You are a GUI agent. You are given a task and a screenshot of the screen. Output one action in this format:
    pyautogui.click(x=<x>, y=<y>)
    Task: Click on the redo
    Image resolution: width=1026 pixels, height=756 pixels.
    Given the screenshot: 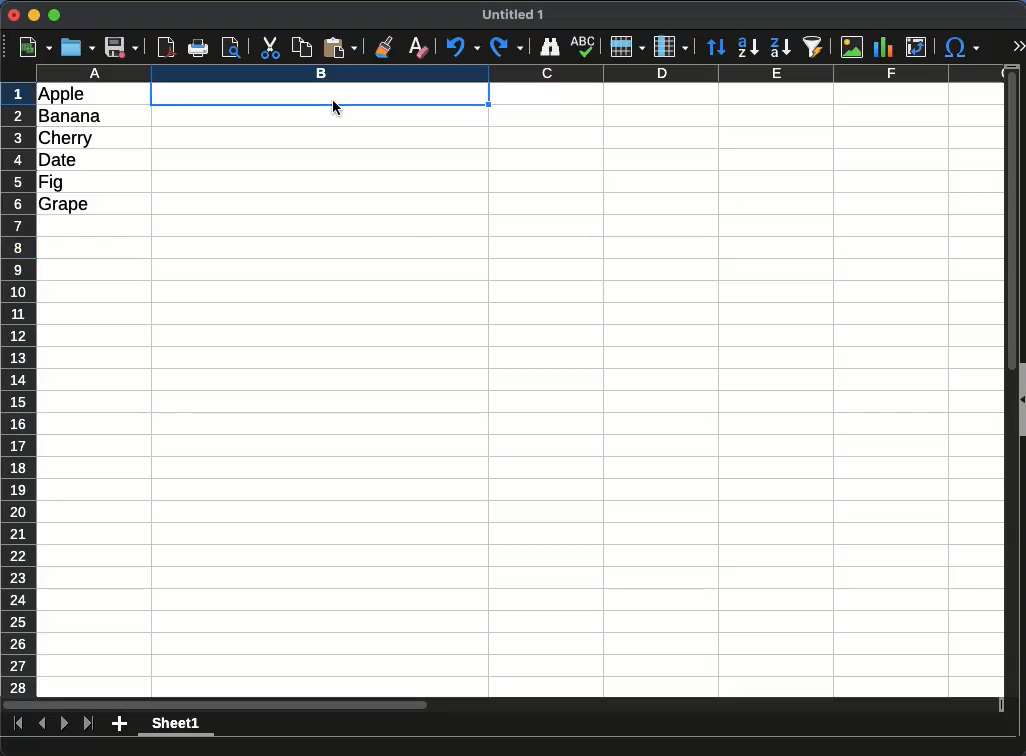 What is the action you would take?
    pyautogui.click(x=507, y=47)
    